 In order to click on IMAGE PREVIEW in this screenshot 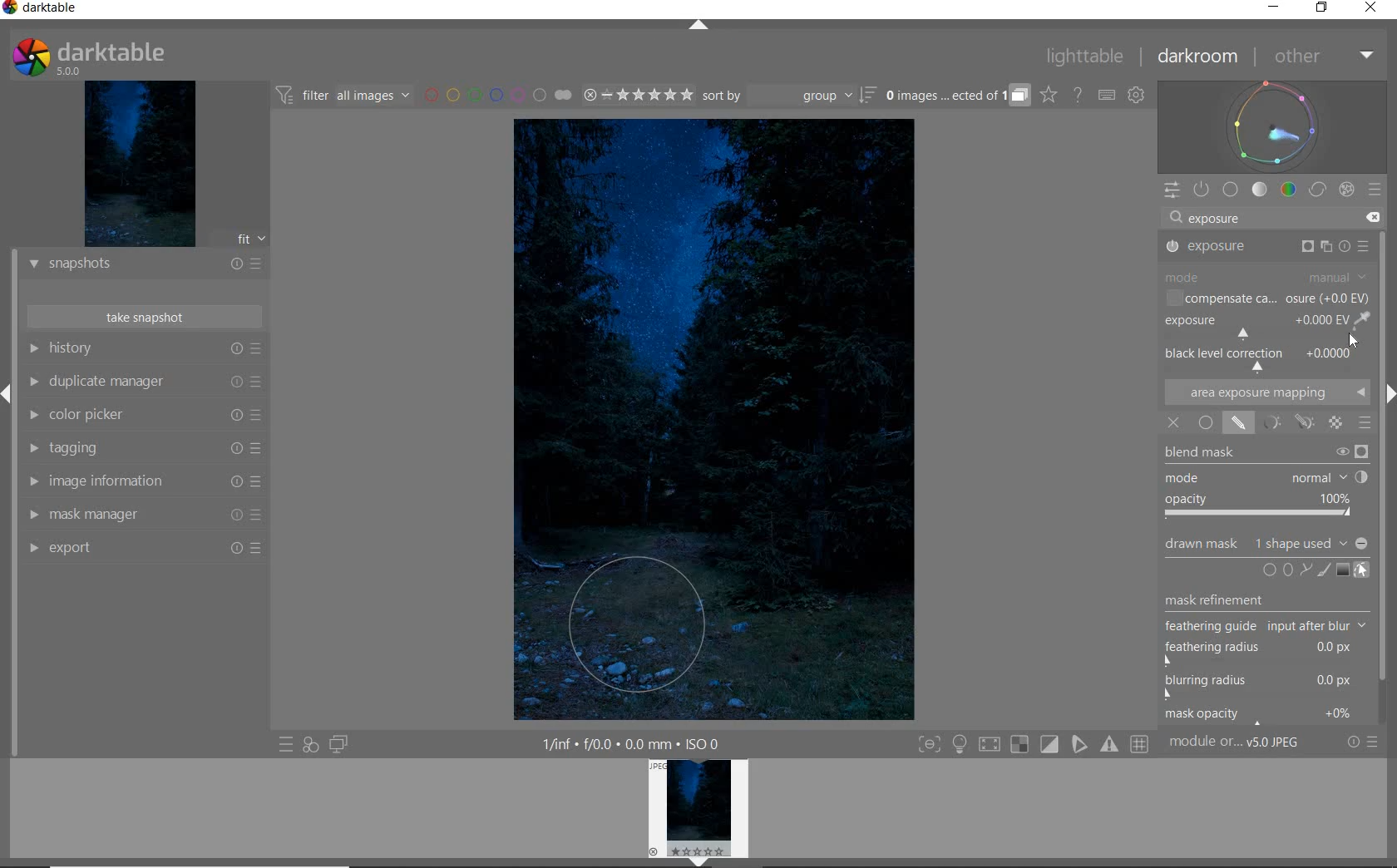, I will do `click(134, 164)`.